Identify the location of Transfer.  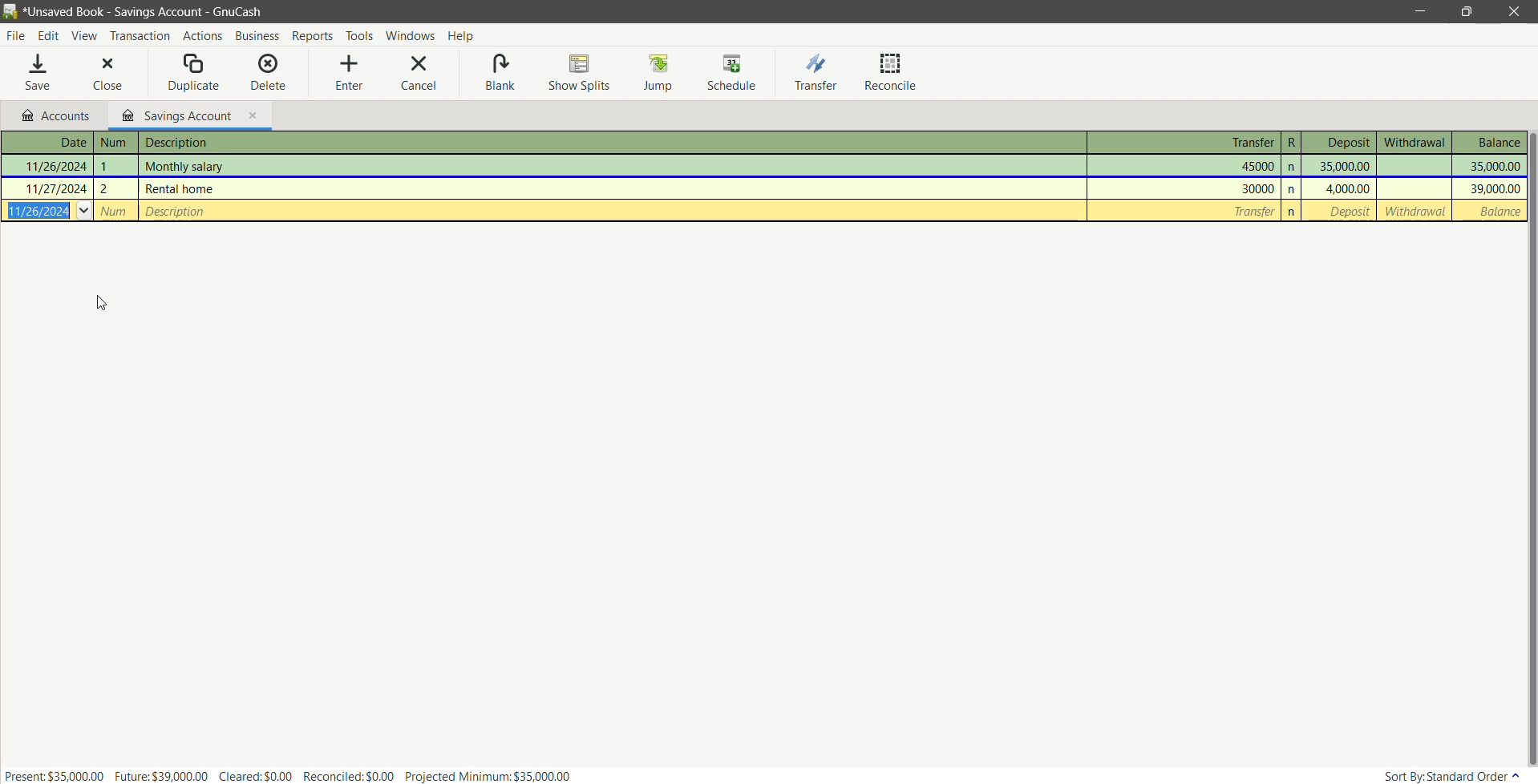
(1183, 142).